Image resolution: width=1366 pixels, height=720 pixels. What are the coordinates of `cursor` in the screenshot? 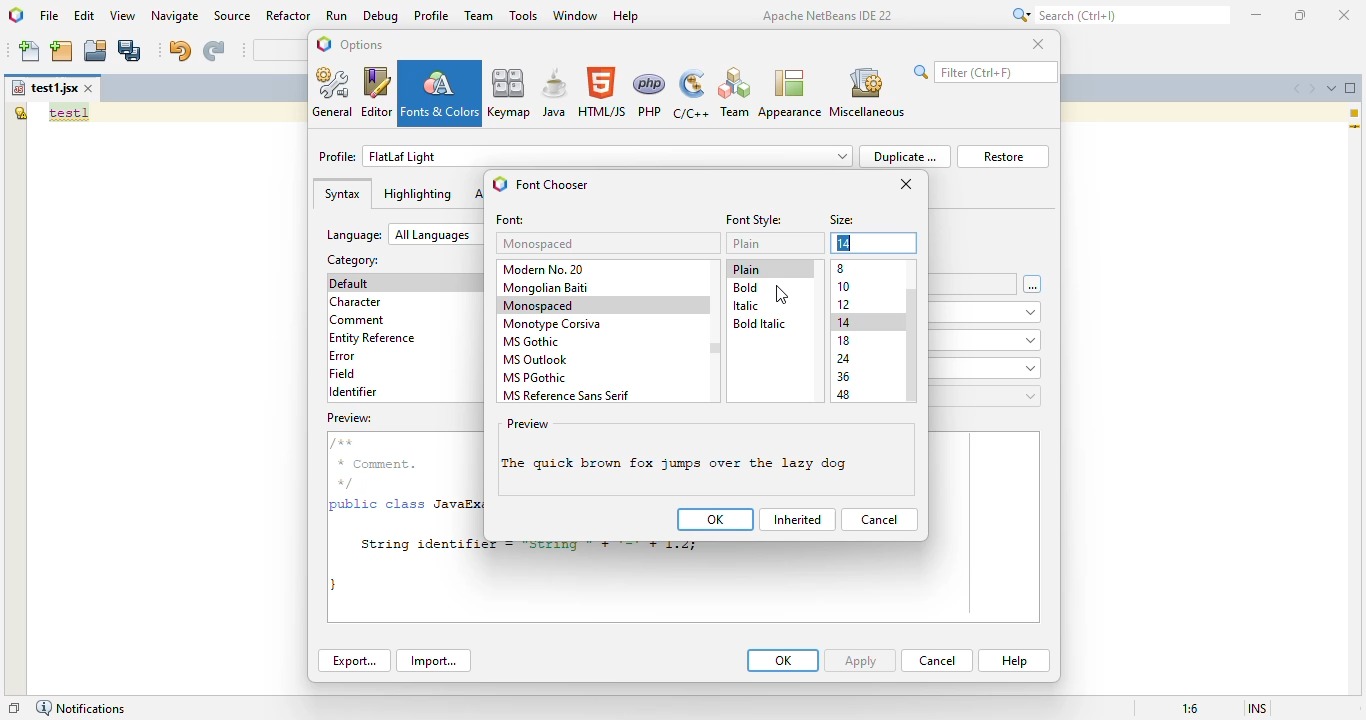 It's located at (782, 295).